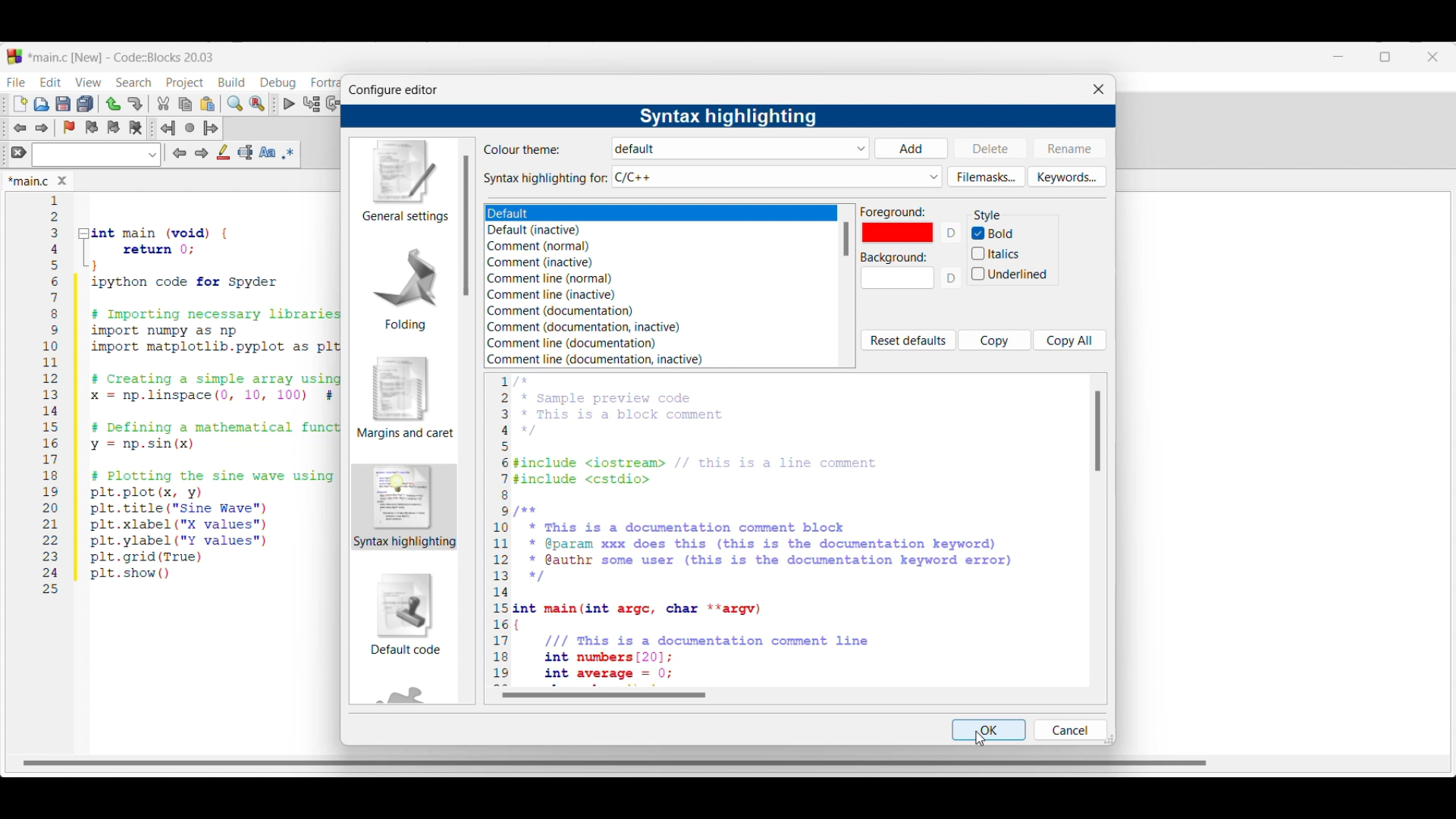 The image size is (1456, 819). Describe the element at coordinates (978, 739) in the screenshot. I see `Cursor clicking on Bold toggle` at that location.